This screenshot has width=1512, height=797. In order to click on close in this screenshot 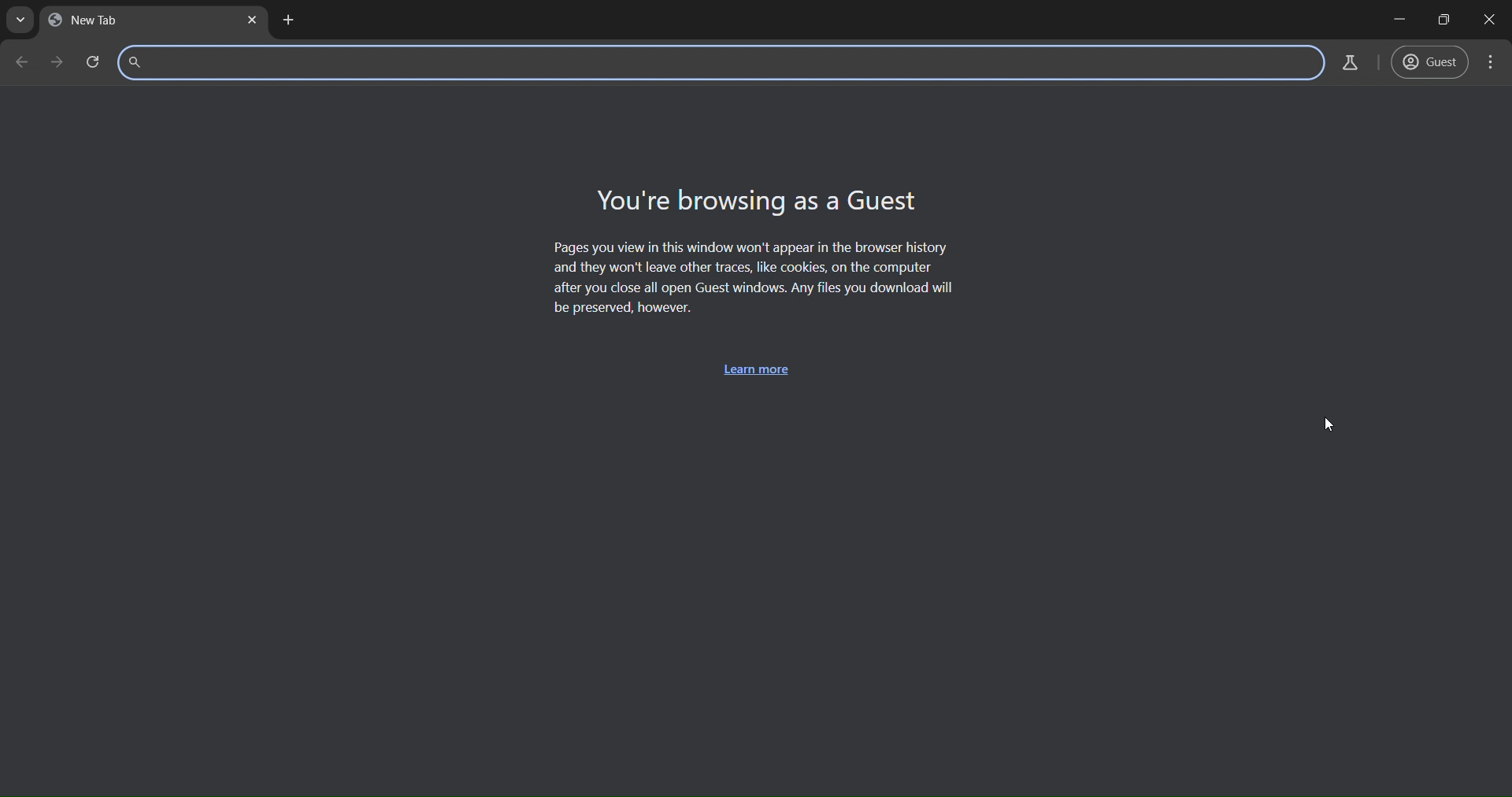, I will do `click(1494, 20)`.